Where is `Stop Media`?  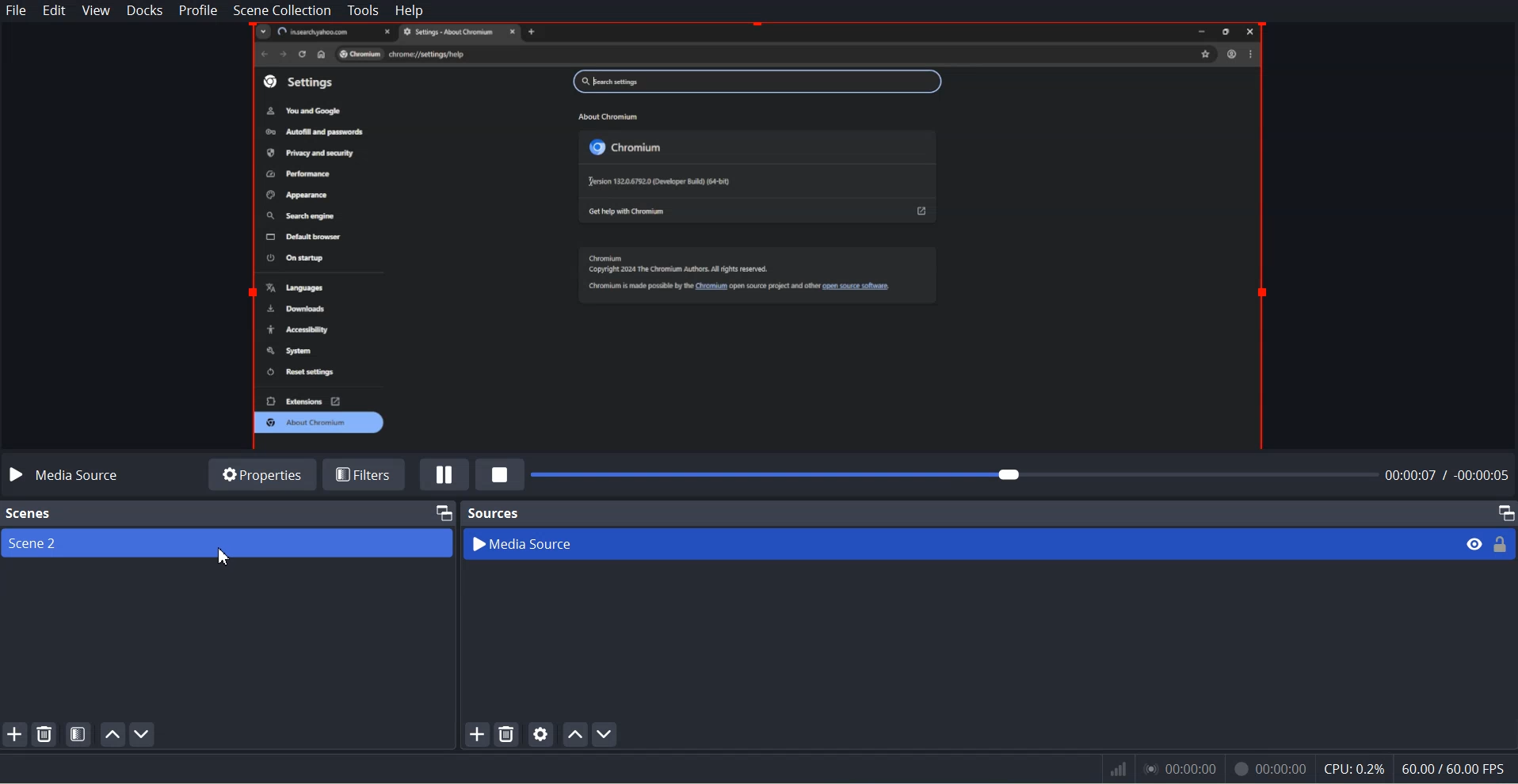 Stop Media is located at coordinates (501, 474).